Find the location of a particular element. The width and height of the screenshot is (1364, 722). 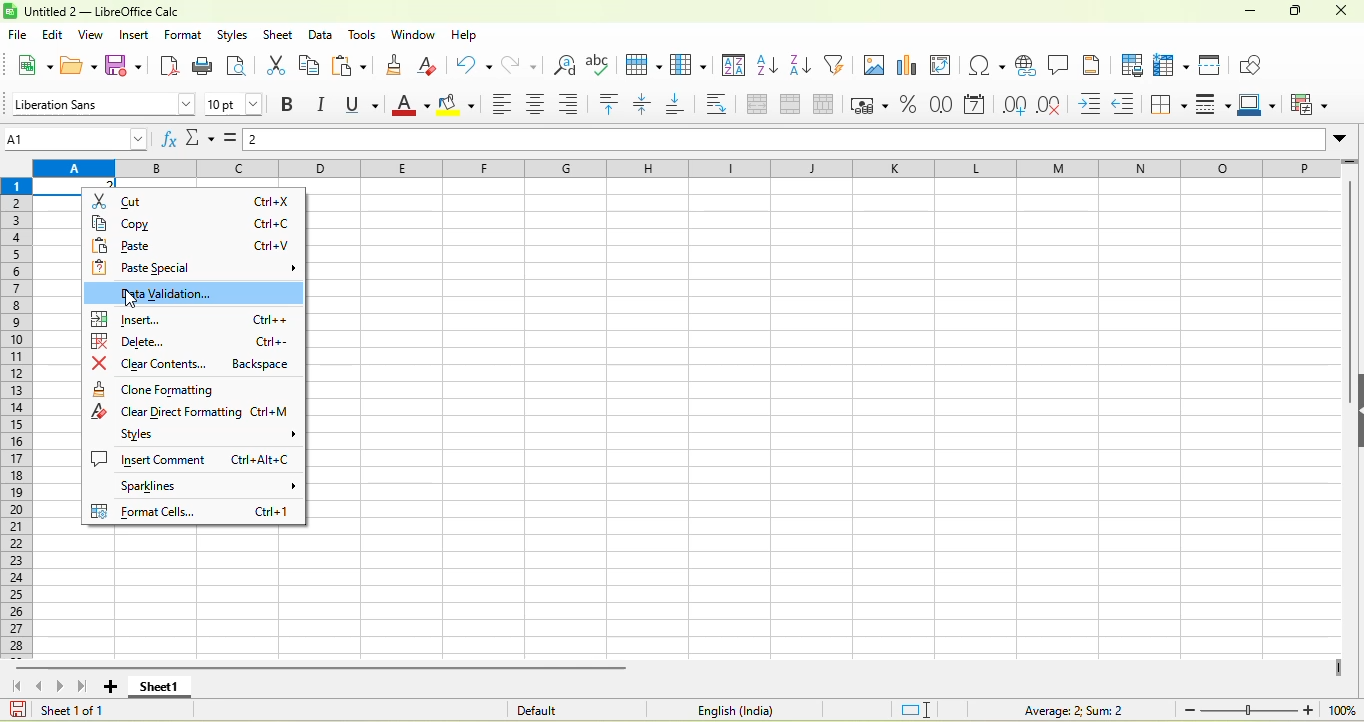

copy is located at coordinates (313, 65).